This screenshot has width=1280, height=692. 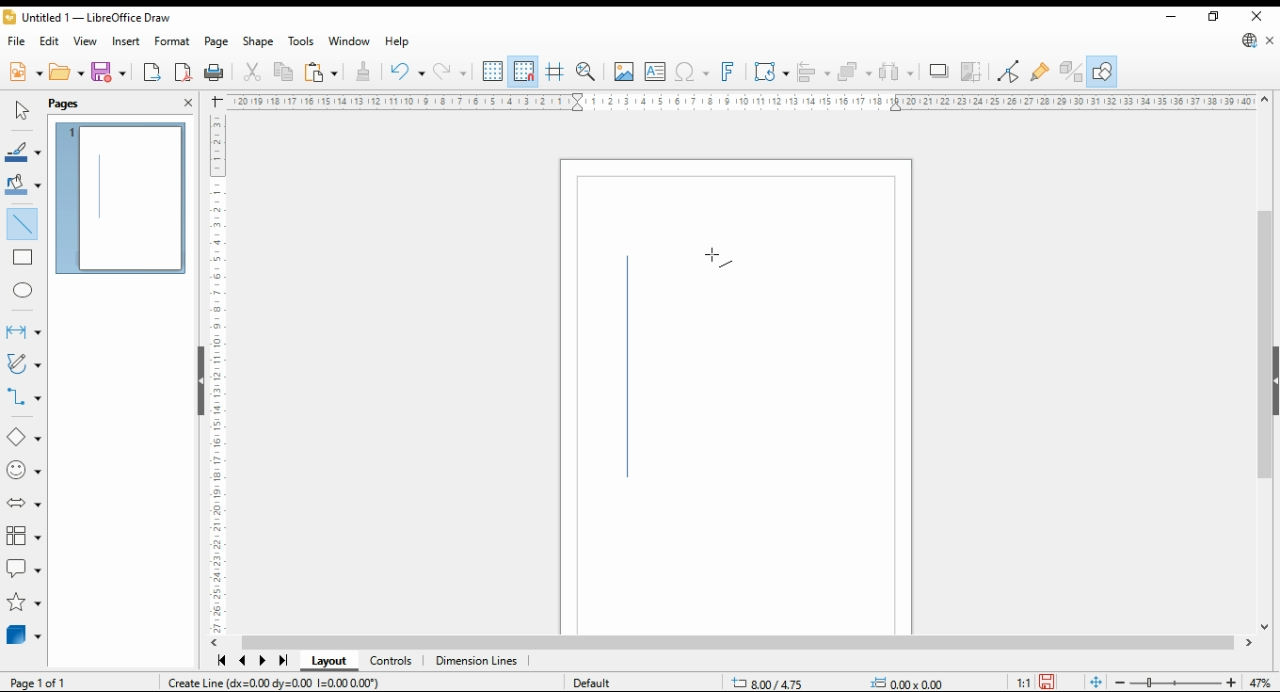 What do you see at coordinates (738, 642) in the screenshot?
I see `scroll bar` at bounding box center [738, 642].